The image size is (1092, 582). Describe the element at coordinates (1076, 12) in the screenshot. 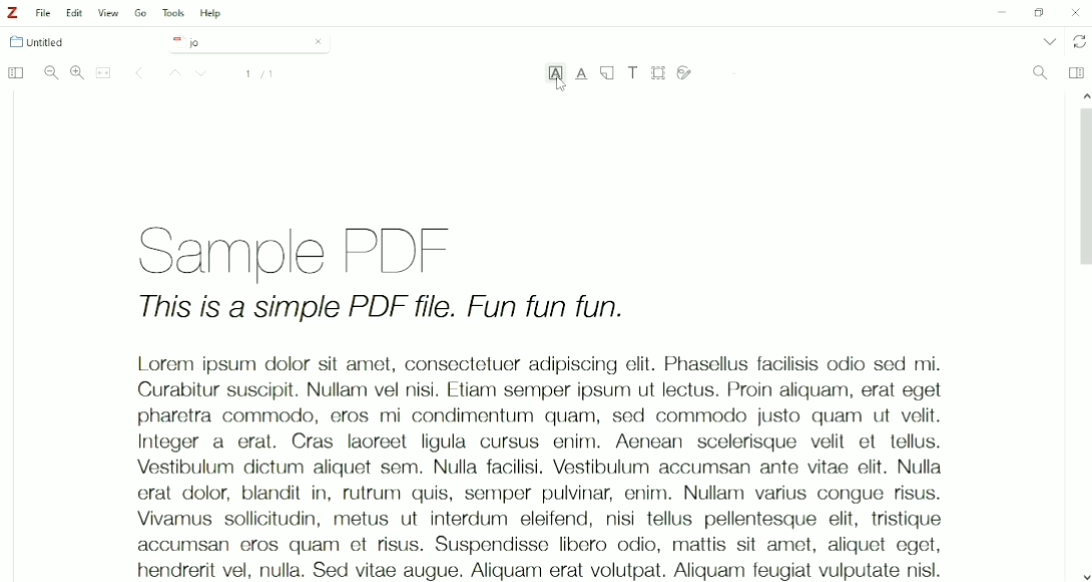

I see `Close` at that location.